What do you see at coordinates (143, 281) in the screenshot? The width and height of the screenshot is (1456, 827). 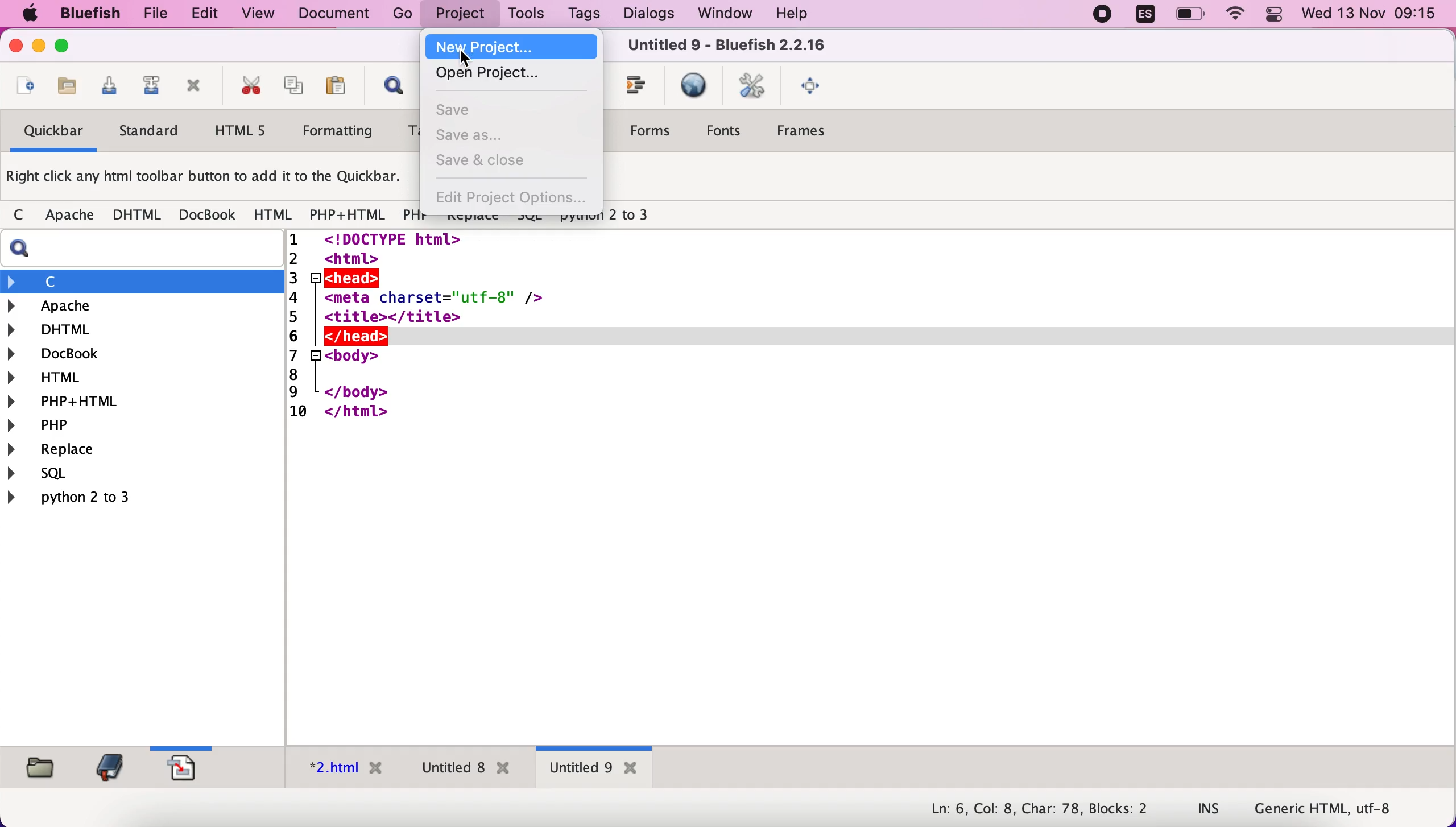 I see `c` at bounding box center [143, 281].